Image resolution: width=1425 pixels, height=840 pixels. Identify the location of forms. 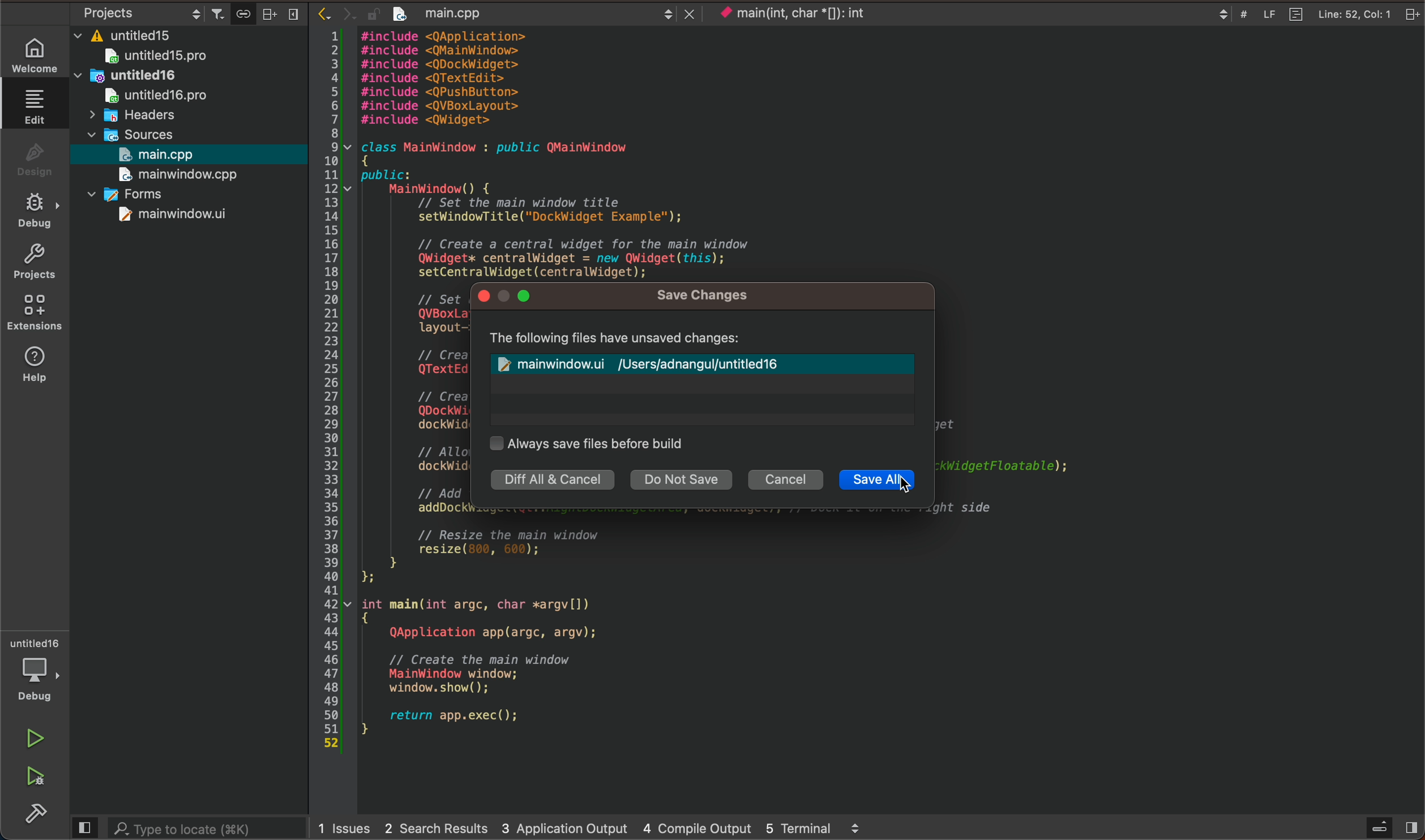
(136, 194).